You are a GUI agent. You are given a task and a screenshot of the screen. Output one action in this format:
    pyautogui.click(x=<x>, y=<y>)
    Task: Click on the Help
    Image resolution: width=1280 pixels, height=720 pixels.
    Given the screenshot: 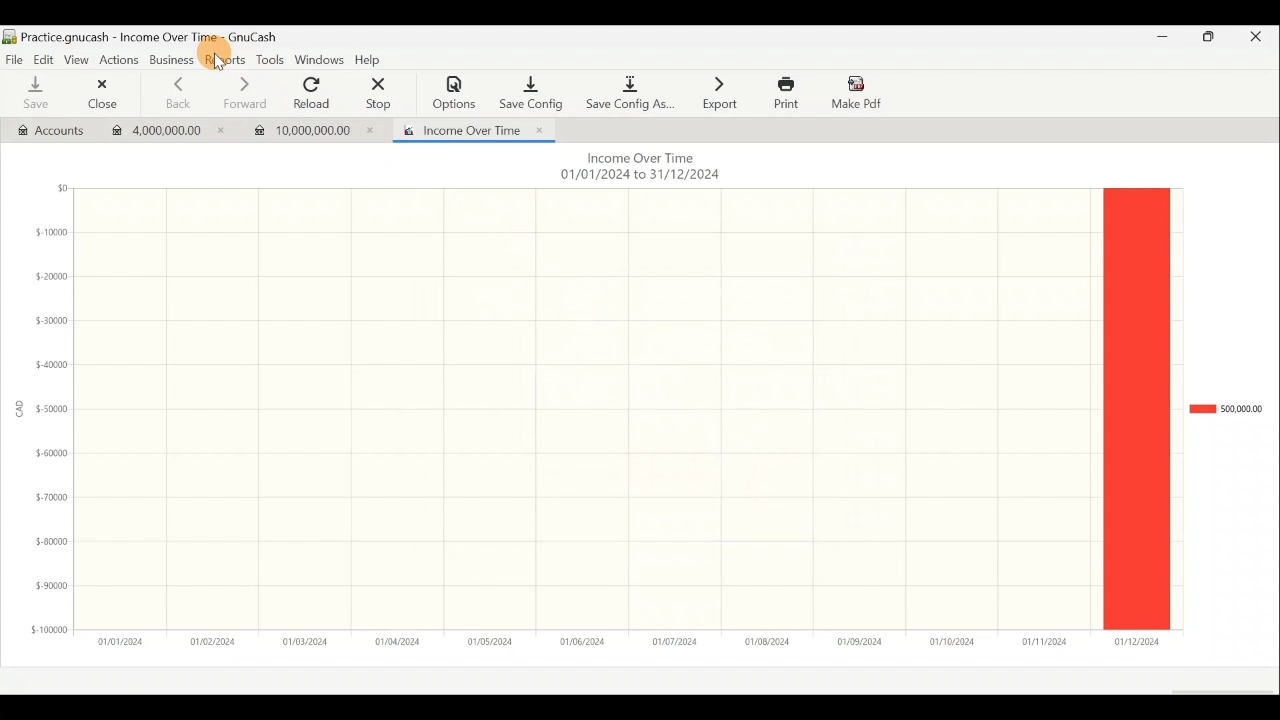 What is the action you would take?
    pyautogui.click(x=372, y=61)
    